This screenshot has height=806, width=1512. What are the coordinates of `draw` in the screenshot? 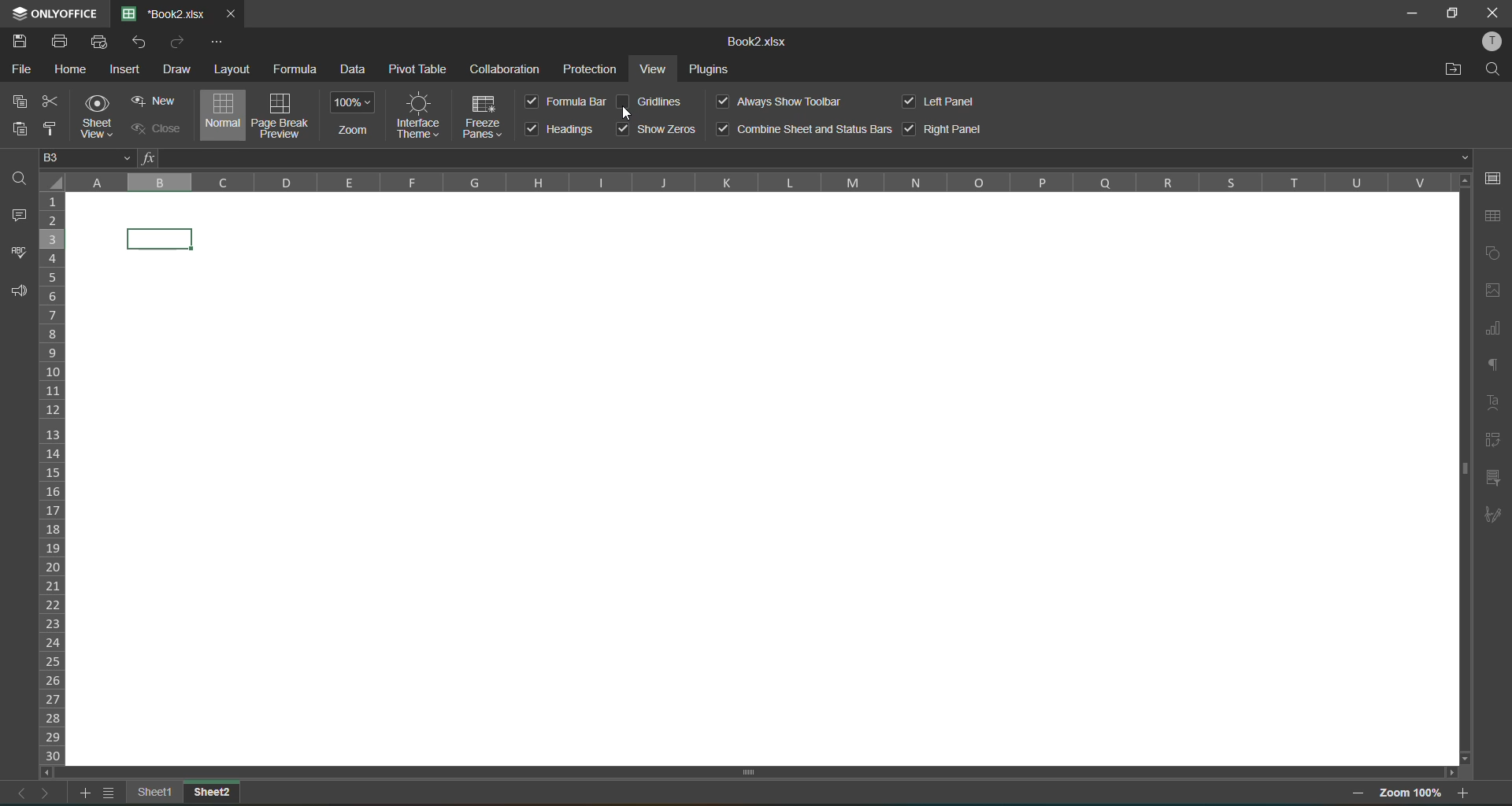 It's located at (175, 69).